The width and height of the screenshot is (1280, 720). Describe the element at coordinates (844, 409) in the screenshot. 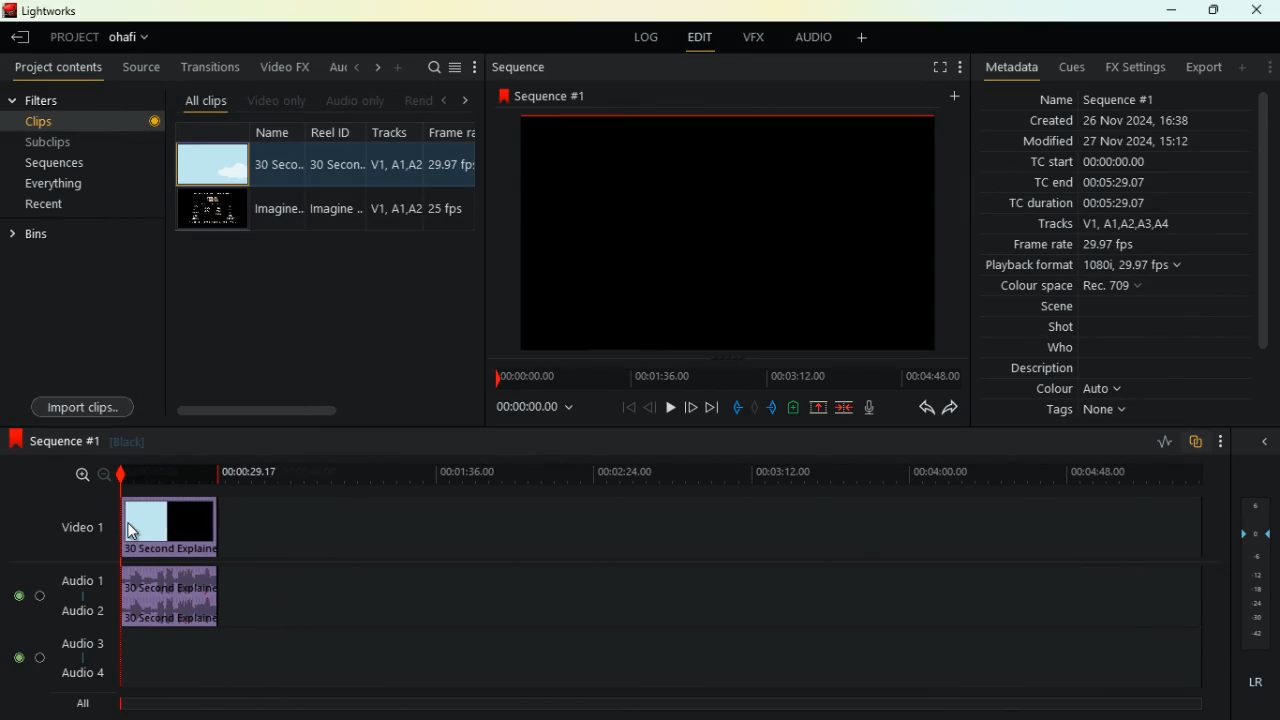

I see `merge` at that location.